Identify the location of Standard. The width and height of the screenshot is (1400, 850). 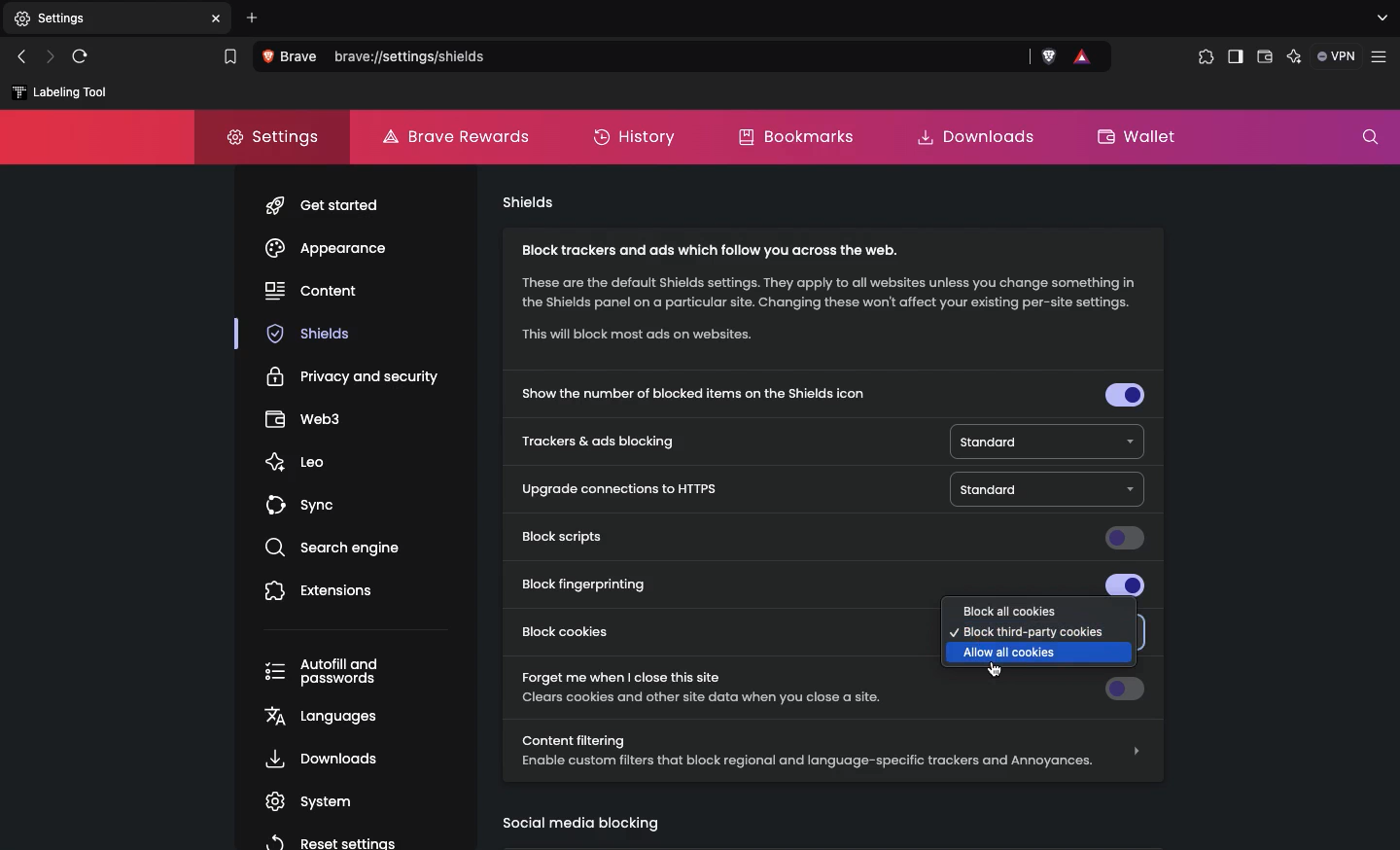
(1042, 441).